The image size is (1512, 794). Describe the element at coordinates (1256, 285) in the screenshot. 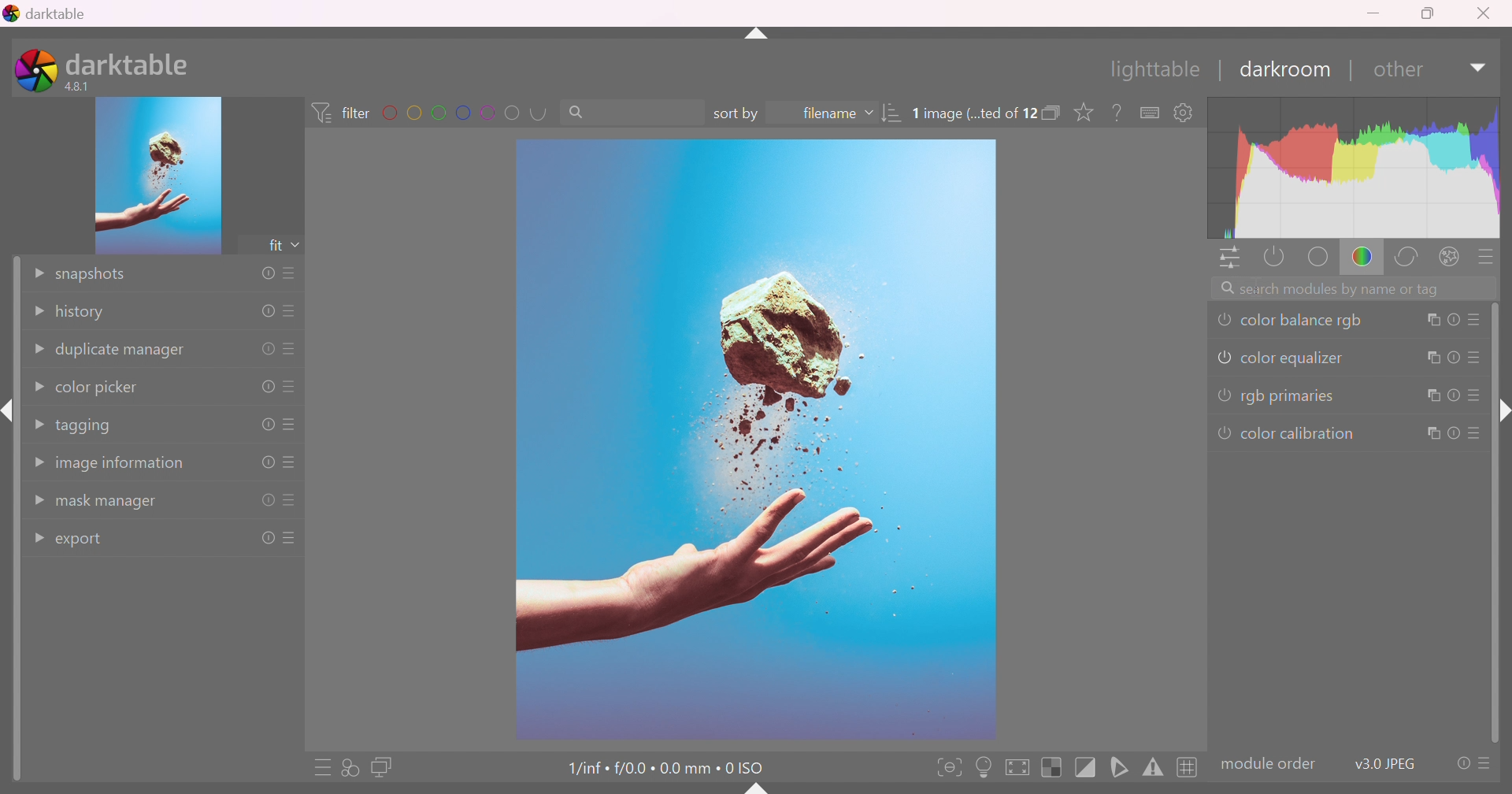

I see `text cursor` at that location.